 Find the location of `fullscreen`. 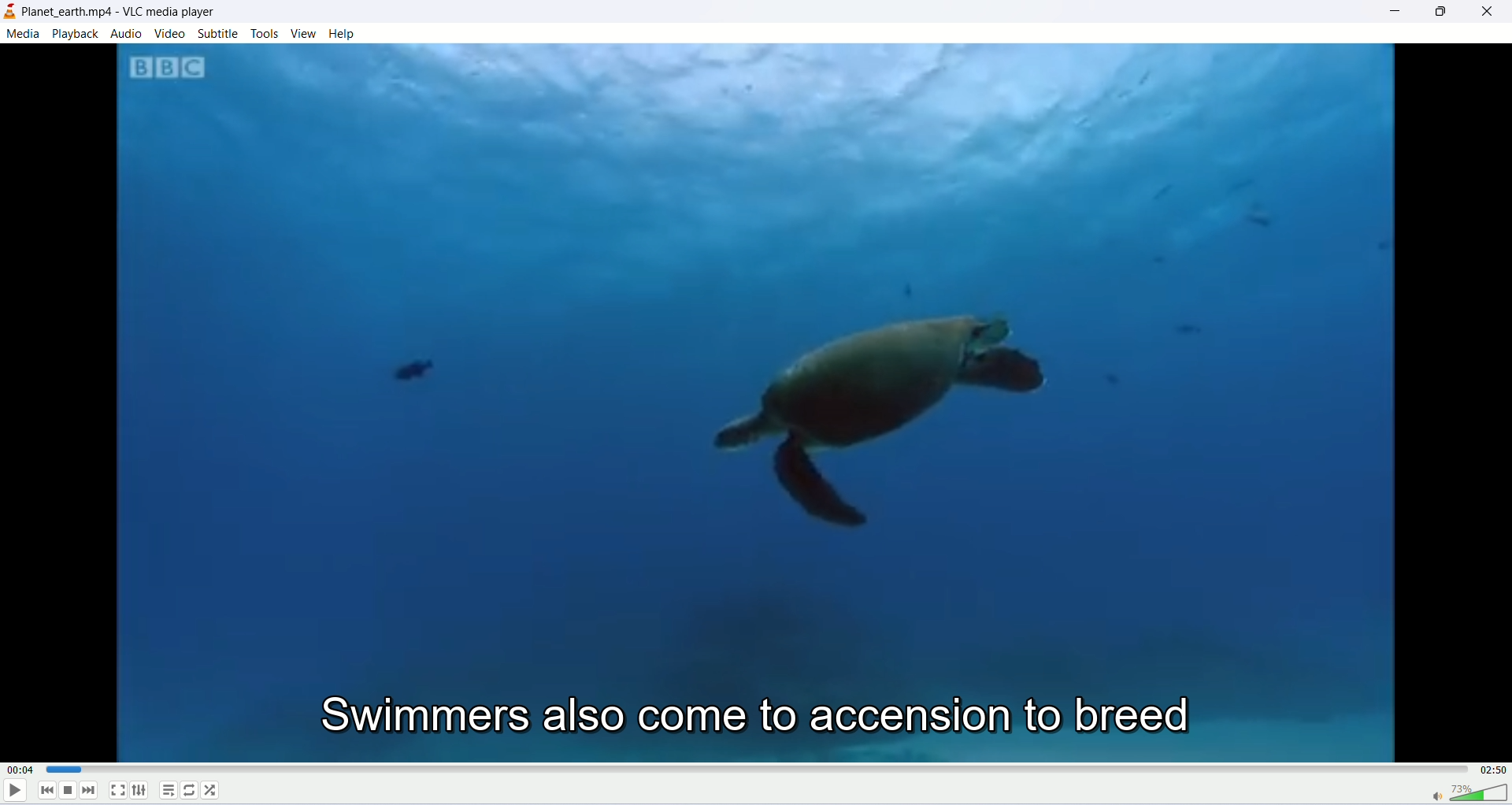

fullscreen is located at coordinates (119, 791).